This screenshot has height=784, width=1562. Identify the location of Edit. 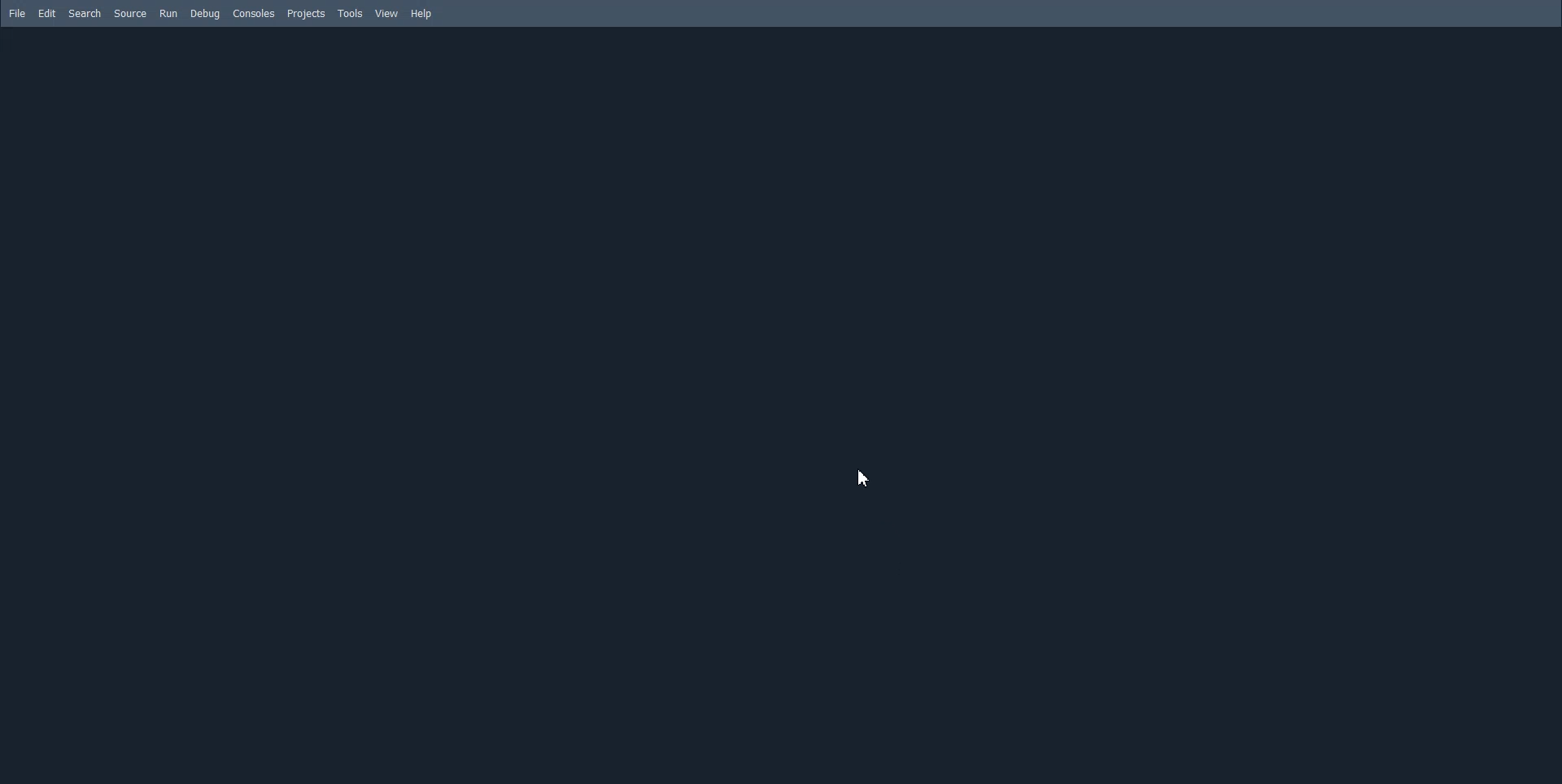
(46, 13).